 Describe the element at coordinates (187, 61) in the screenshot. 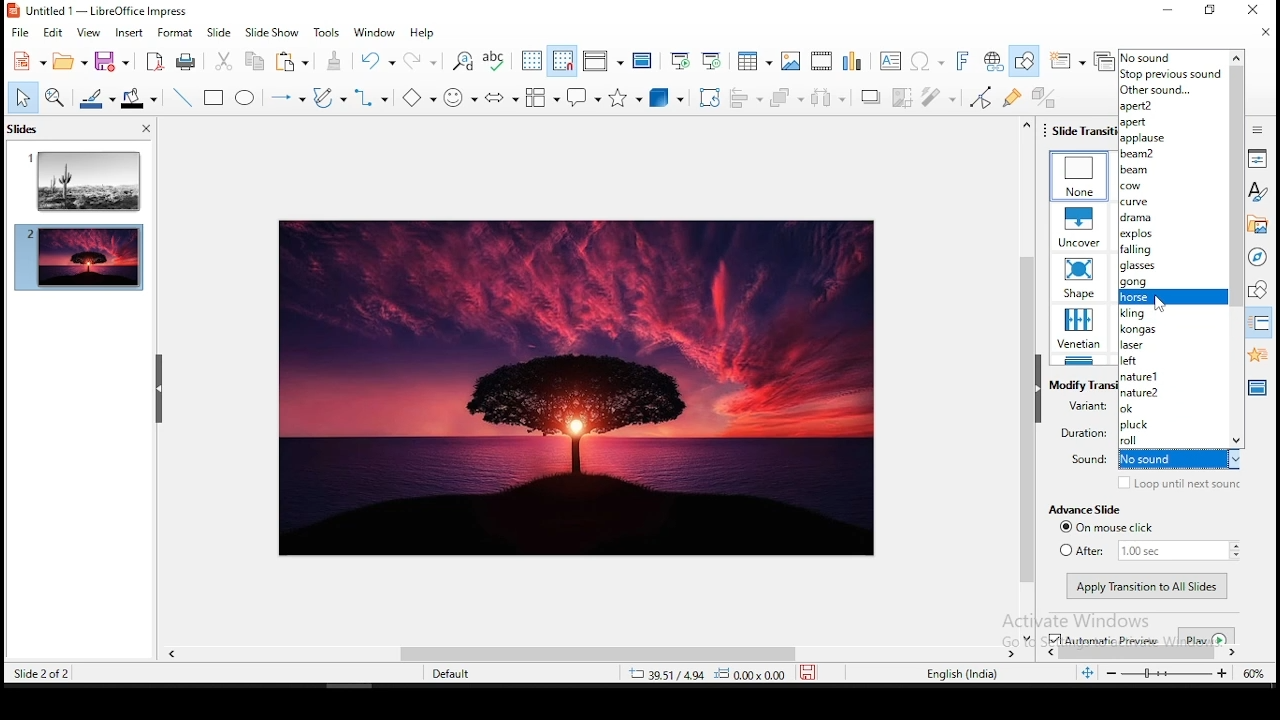

I see `print` at that location.